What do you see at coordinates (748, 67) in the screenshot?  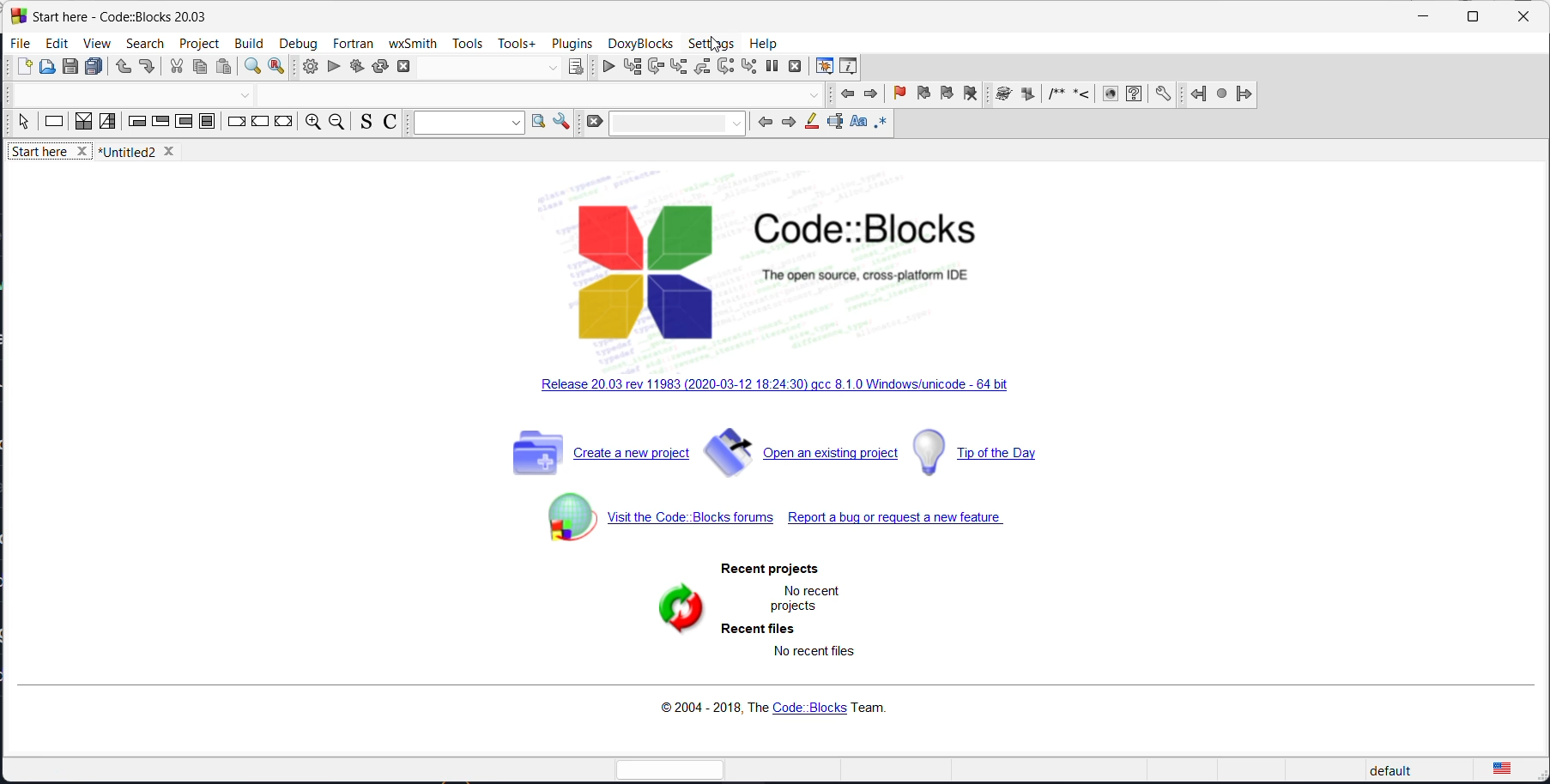 I see `step into instruction` at bounding box center [748, 67].